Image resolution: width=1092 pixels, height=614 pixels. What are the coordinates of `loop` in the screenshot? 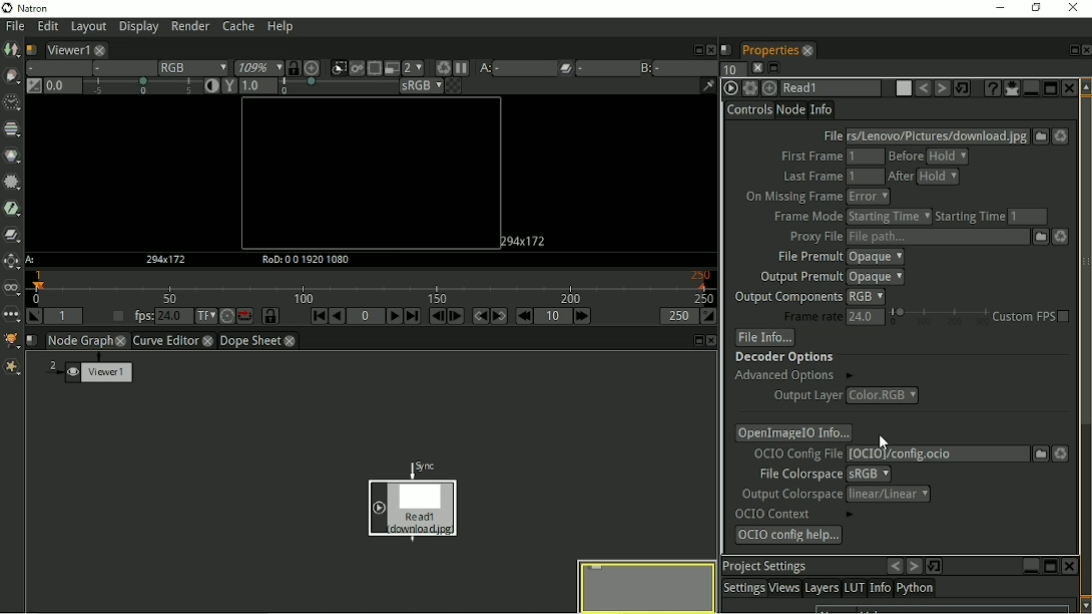 It's located at (936, 565).